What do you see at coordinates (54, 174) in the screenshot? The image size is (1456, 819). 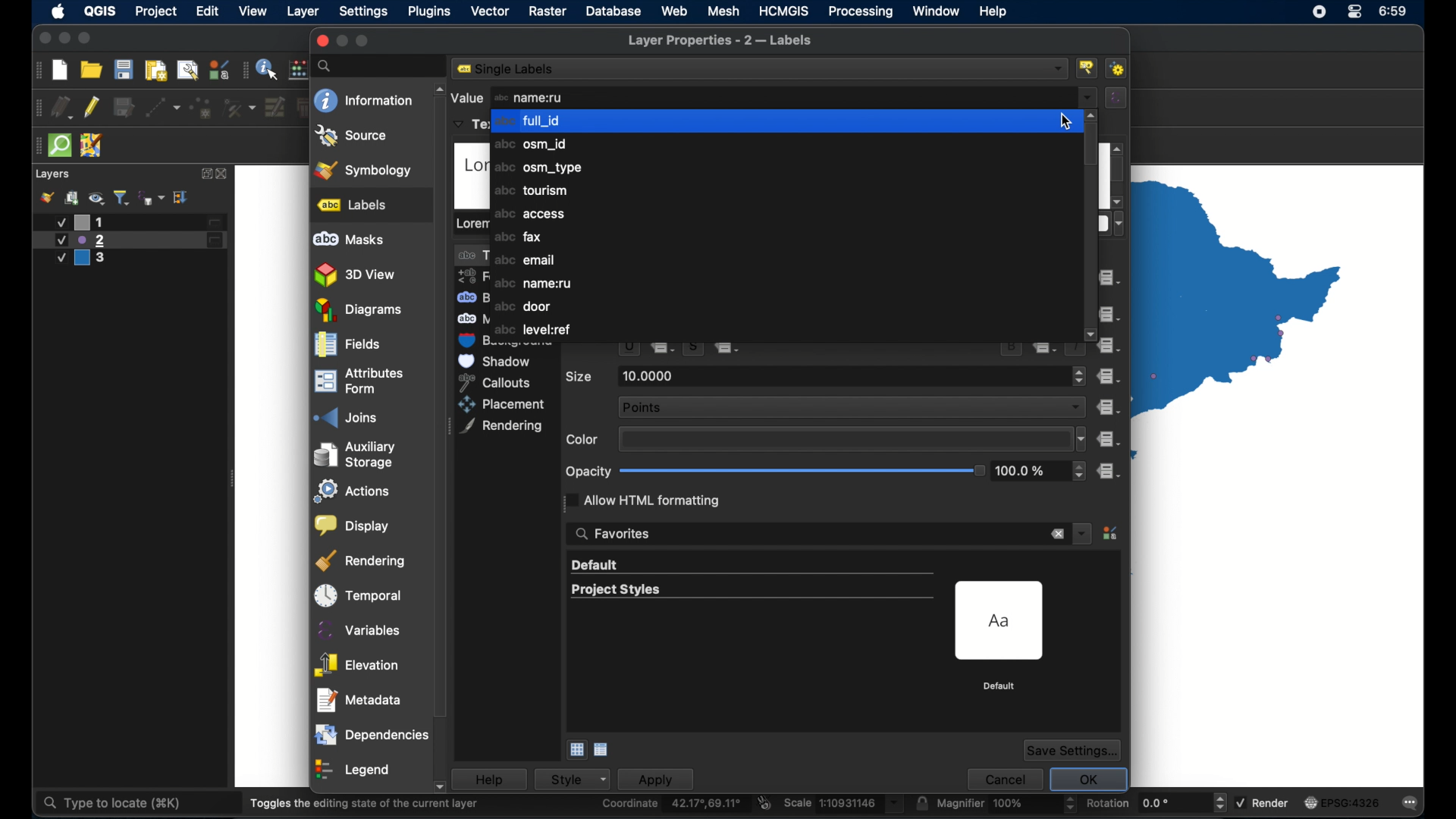 I see `layers` at bounding box center [54, 174].